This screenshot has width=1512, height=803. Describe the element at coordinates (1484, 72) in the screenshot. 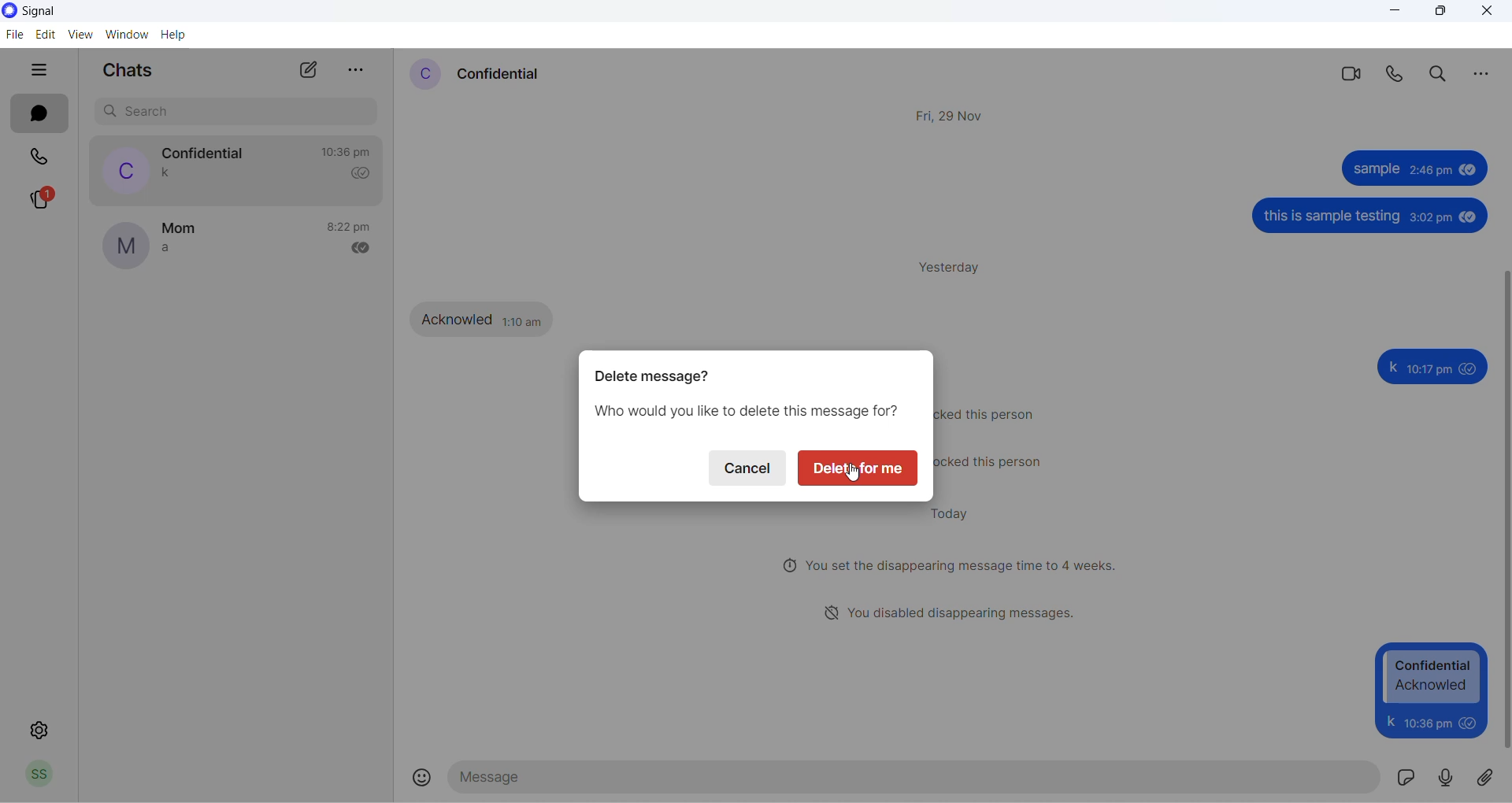

I see `more options` at that location.